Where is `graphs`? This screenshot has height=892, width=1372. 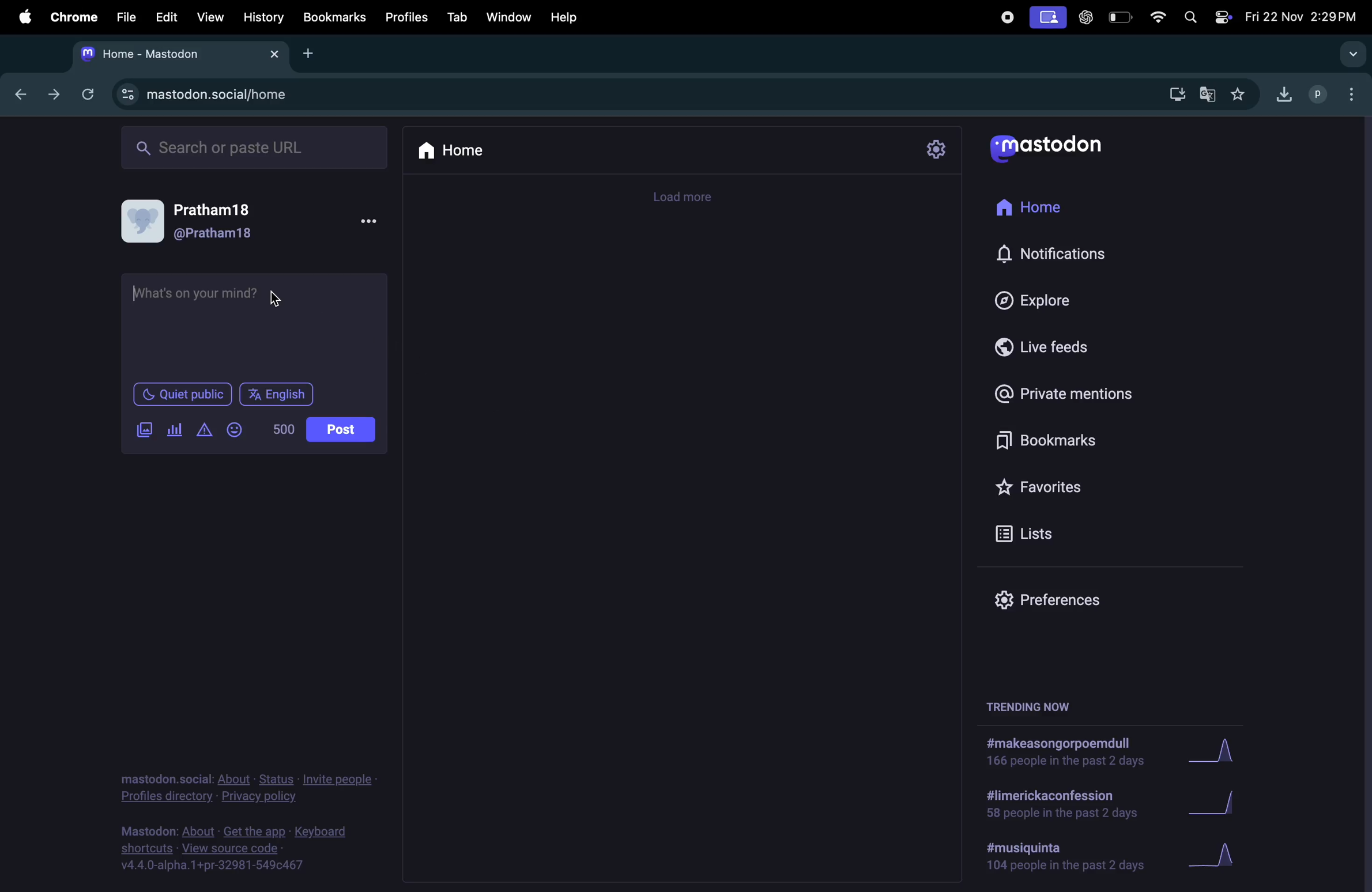 graphs is located at coordinates (1223, 802).